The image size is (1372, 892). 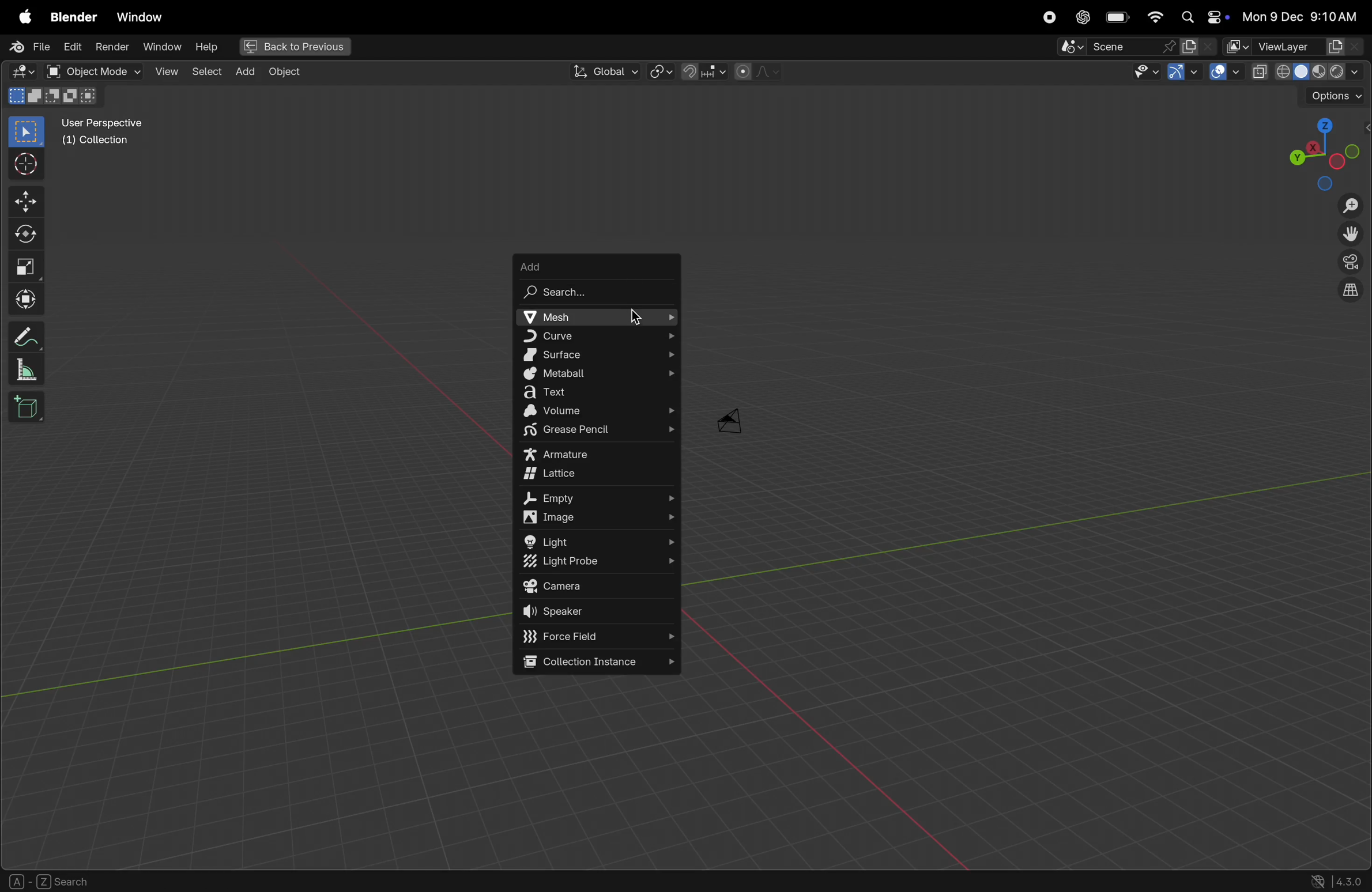 What do you see at coordinates (93, 71) in the screenshot?
I see `object mode` at bounding box center [93, 71].